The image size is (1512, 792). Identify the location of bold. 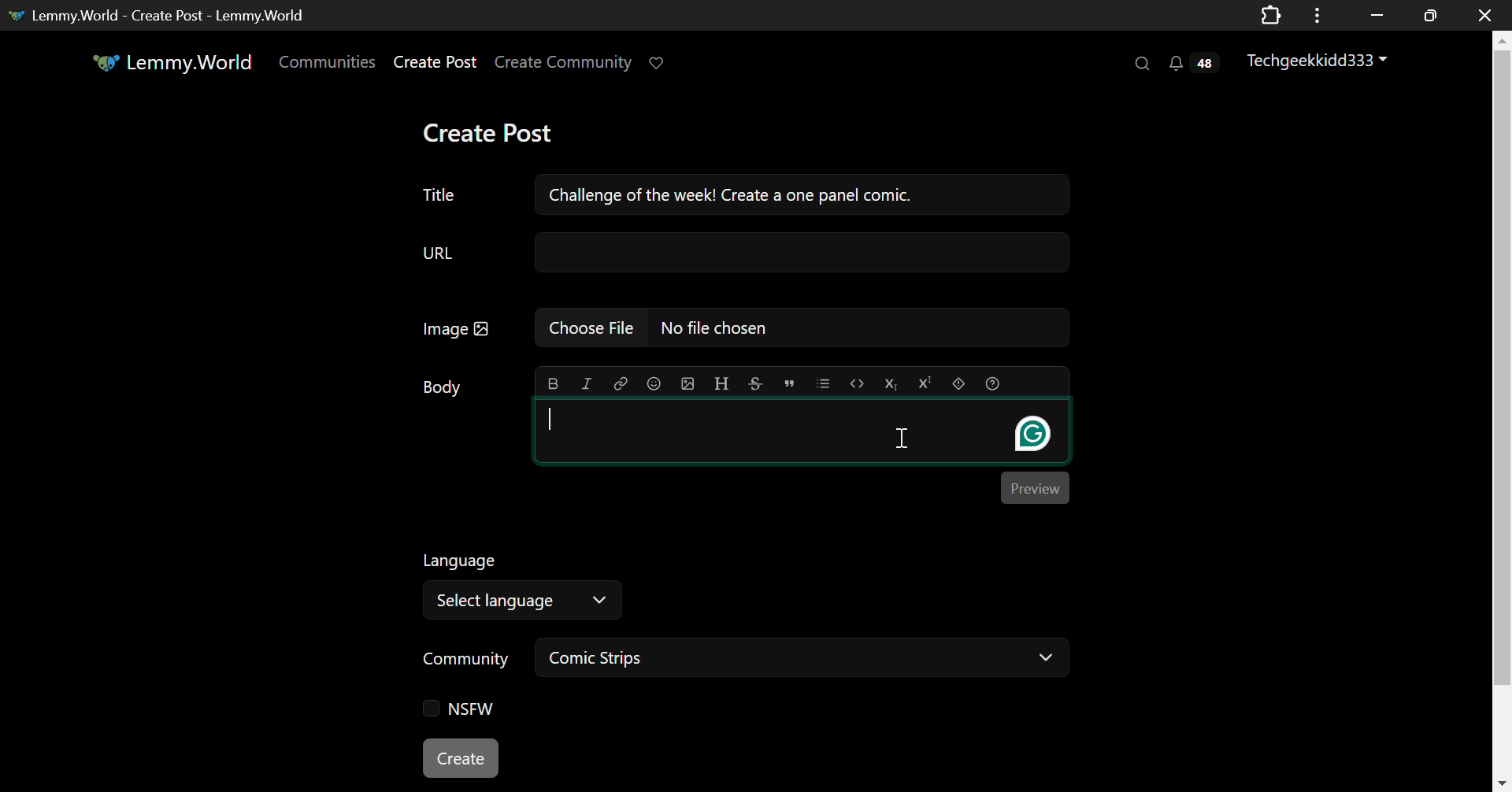
(550, 383).